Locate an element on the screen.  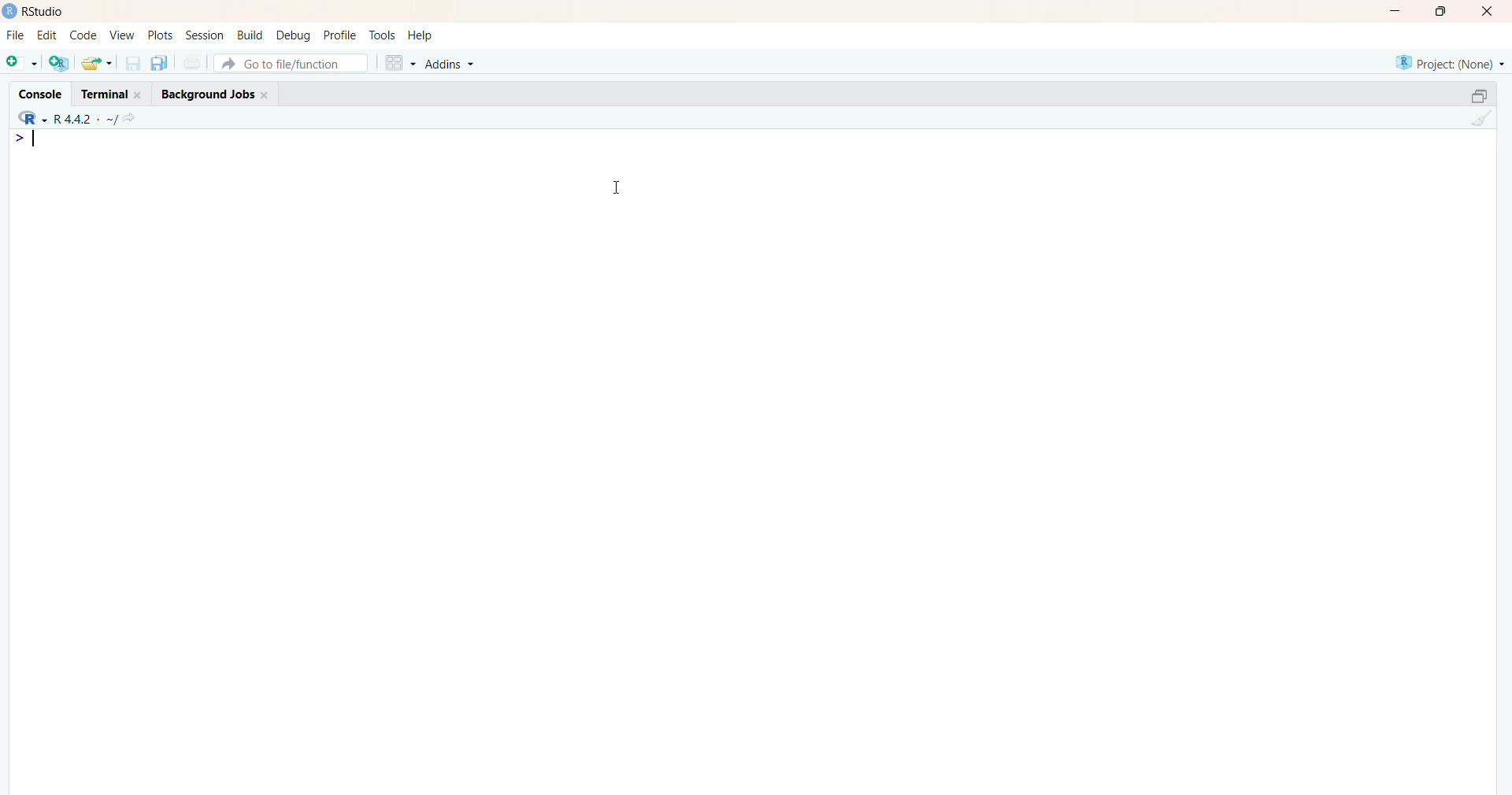
text cursor is located at coordinates (36, 142).